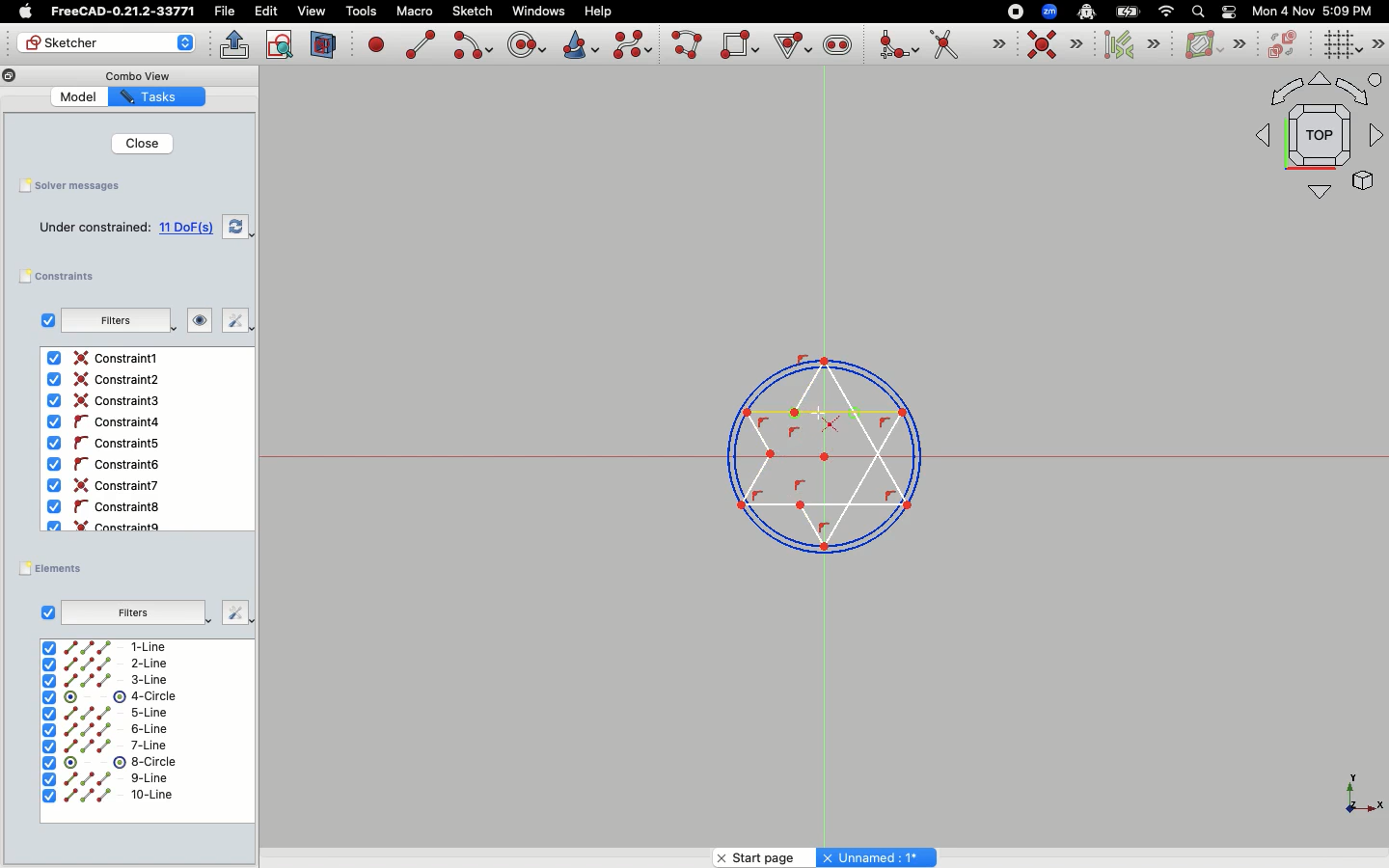 This screenshot has height=868, width=1389. Describe the element at coordinates (123, 12) in the screenshot. I see `FreeCAD-0.21.2-33771` at that location.